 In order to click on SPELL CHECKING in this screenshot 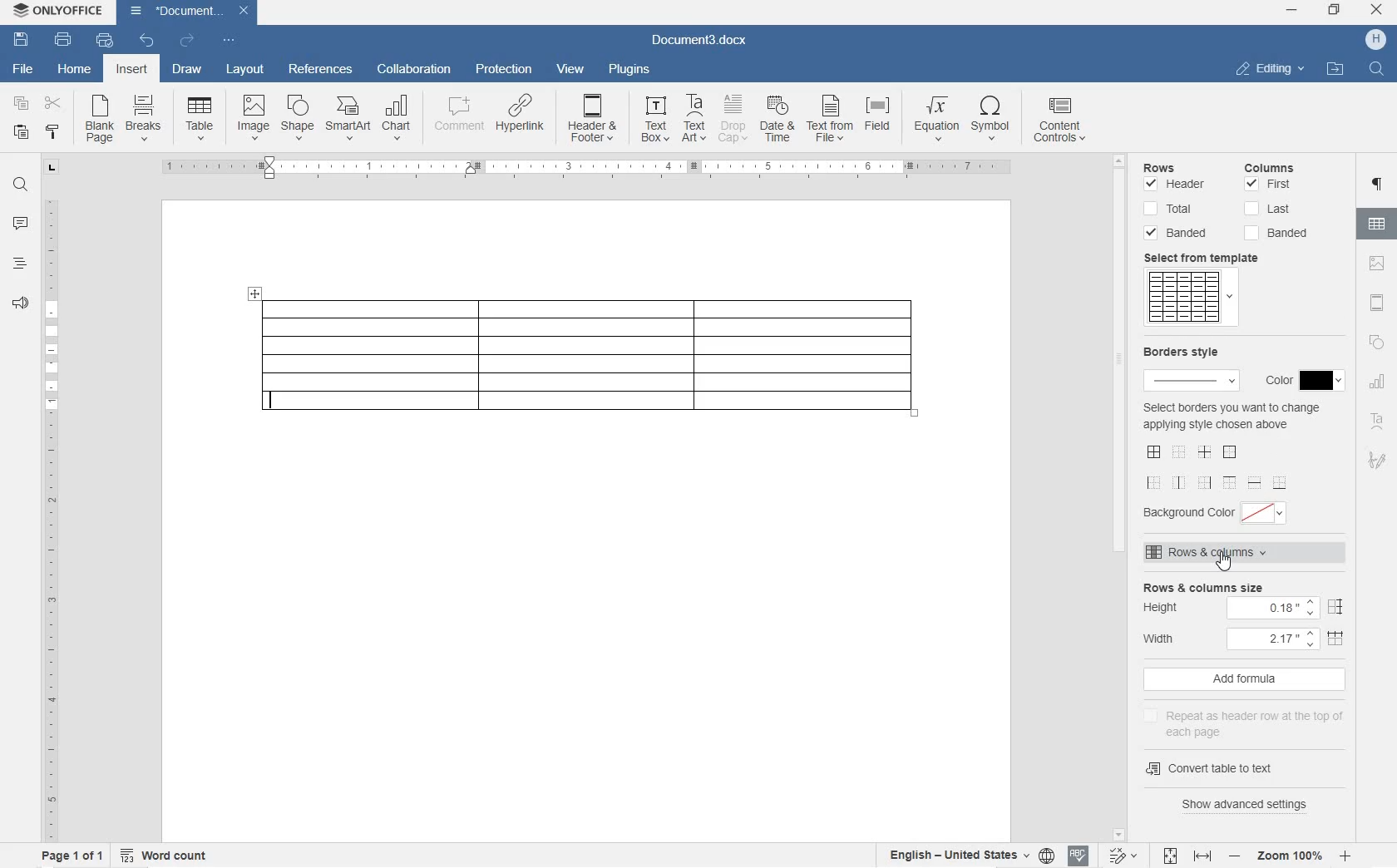, I will do `click(1078, 857)`.